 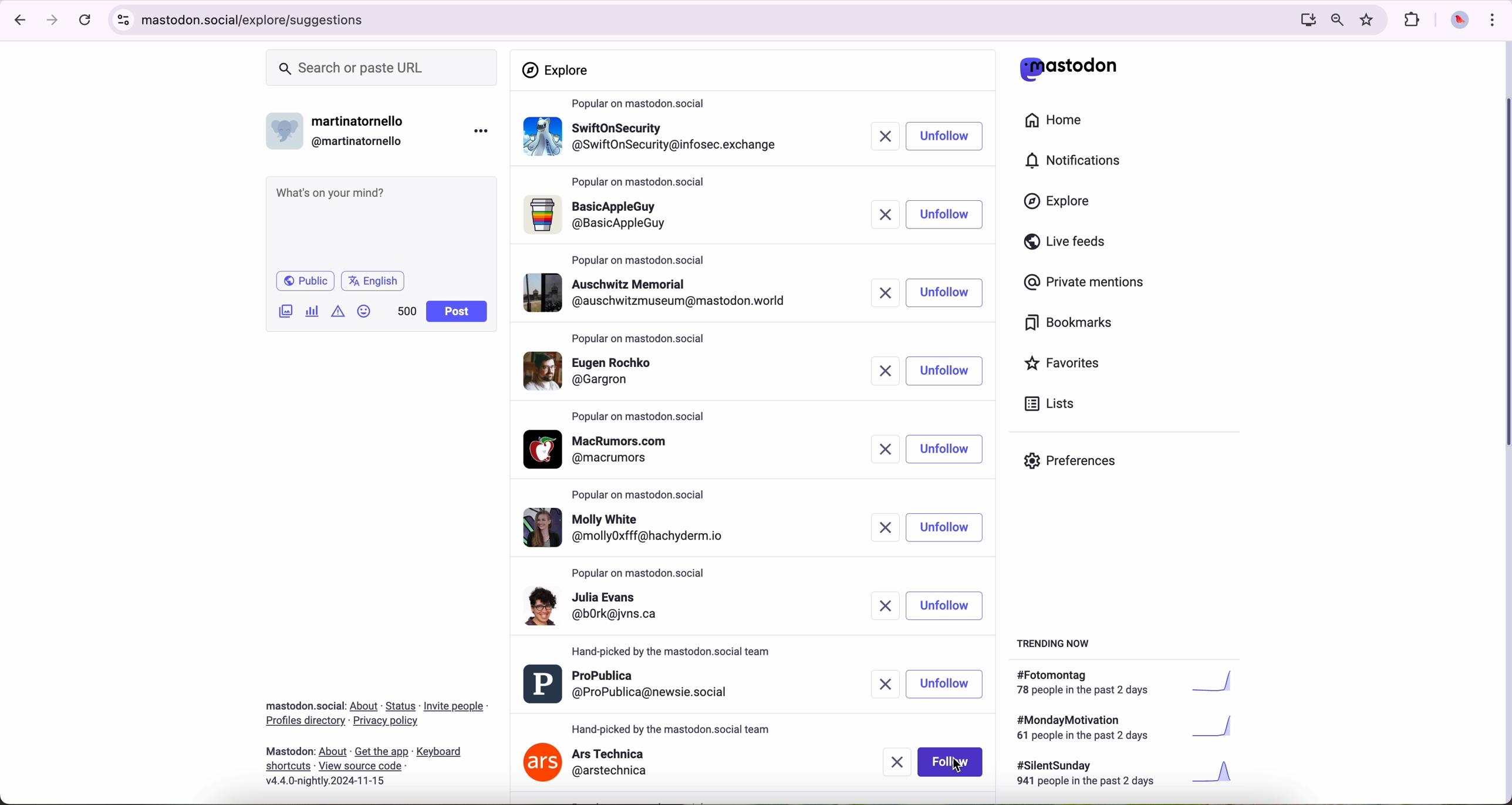 What do you see at coordinates (86, 21) in the screenshot?
I see `refresh page` at bounding box center [86, 21].